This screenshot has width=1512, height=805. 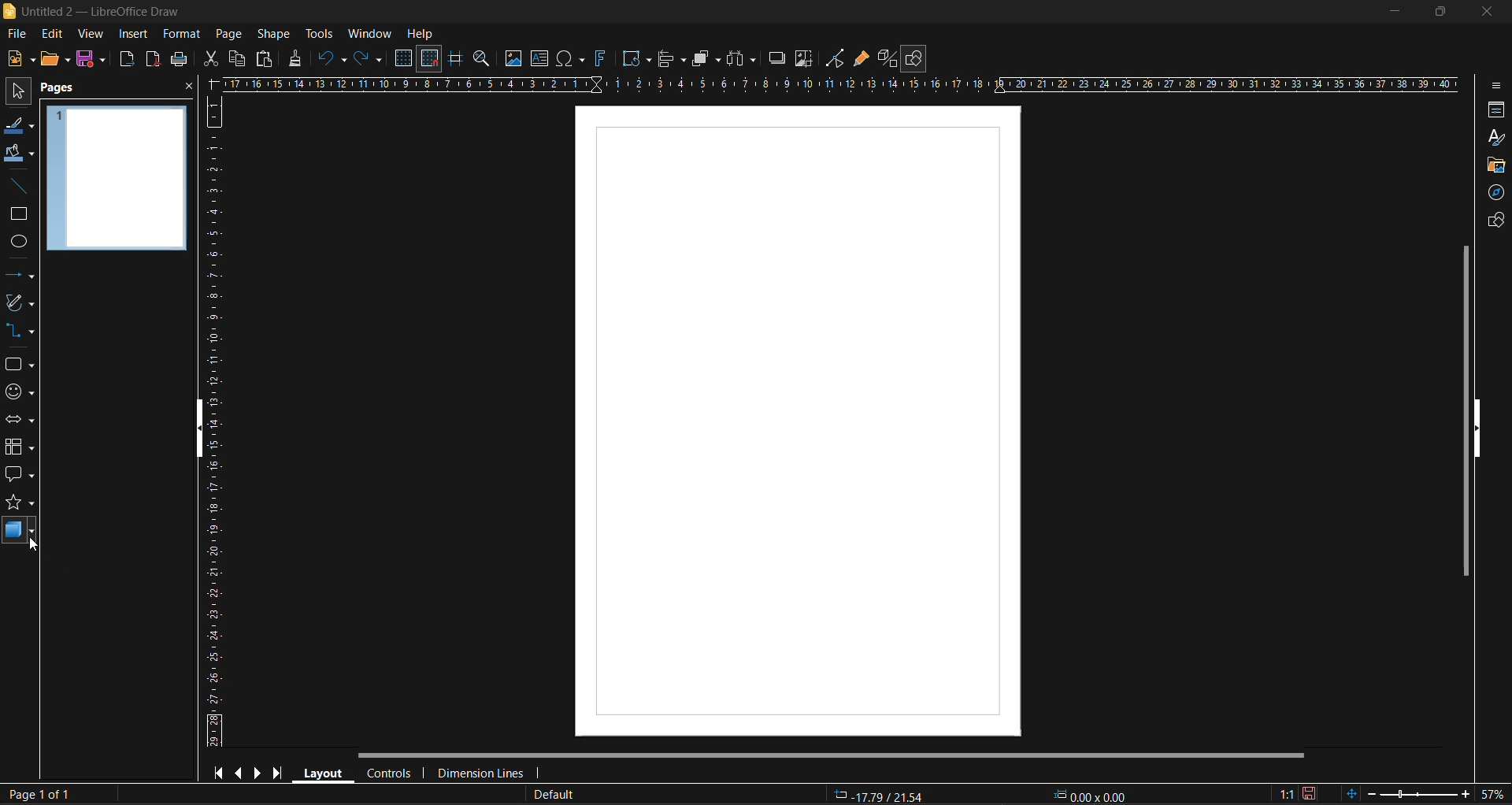 What do you see at coordinates (1492, 223) in the screenshot?
I see `shapes` at bounding box center [1492, 223].